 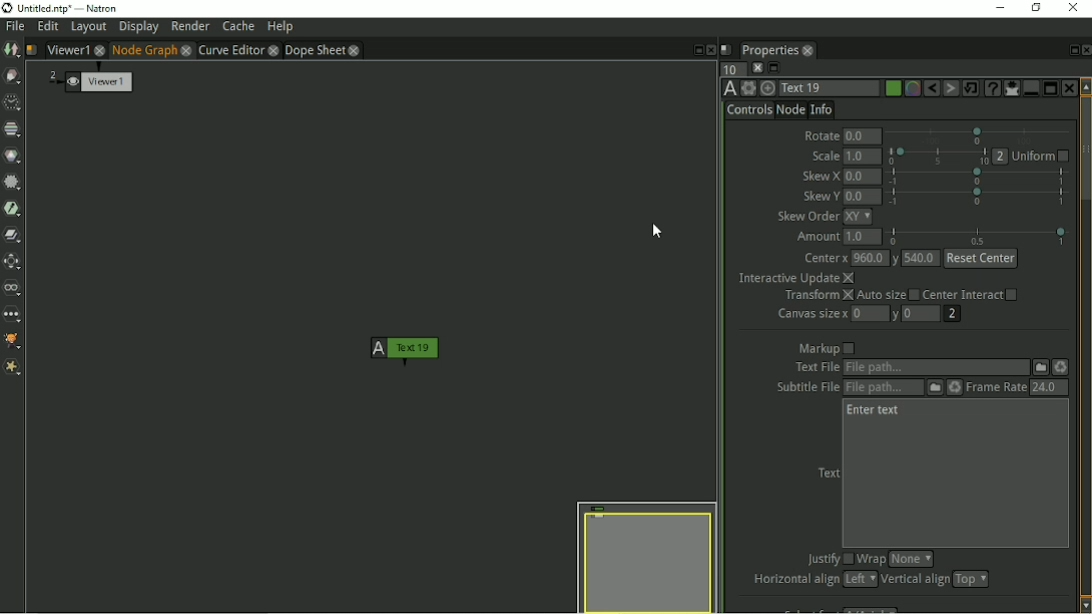 I want to click on Script name, so click(x=33, y=51).